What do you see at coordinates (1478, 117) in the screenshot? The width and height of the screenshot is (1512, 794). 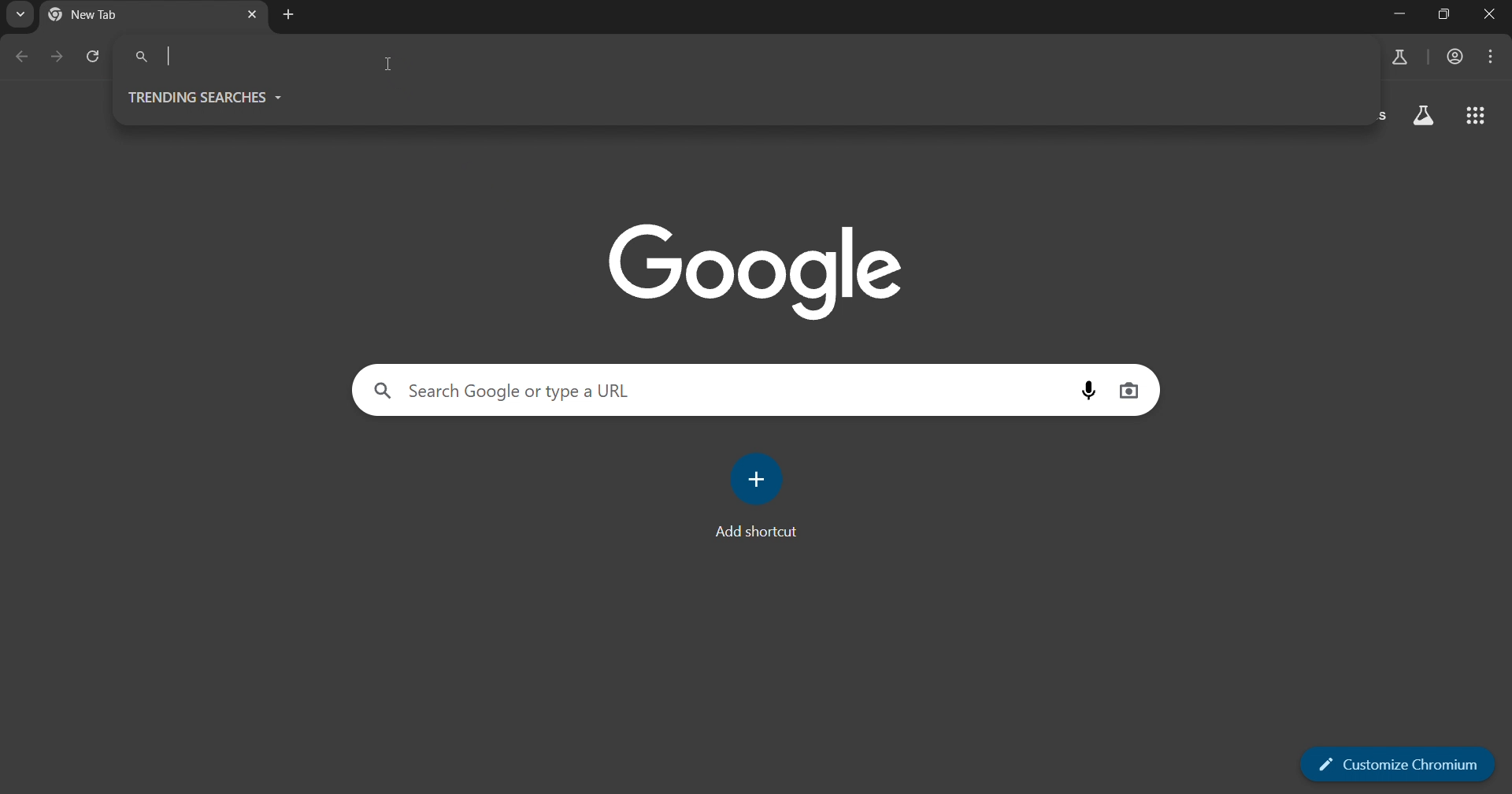 I see `google apps` at bounding box center [1478, 117].